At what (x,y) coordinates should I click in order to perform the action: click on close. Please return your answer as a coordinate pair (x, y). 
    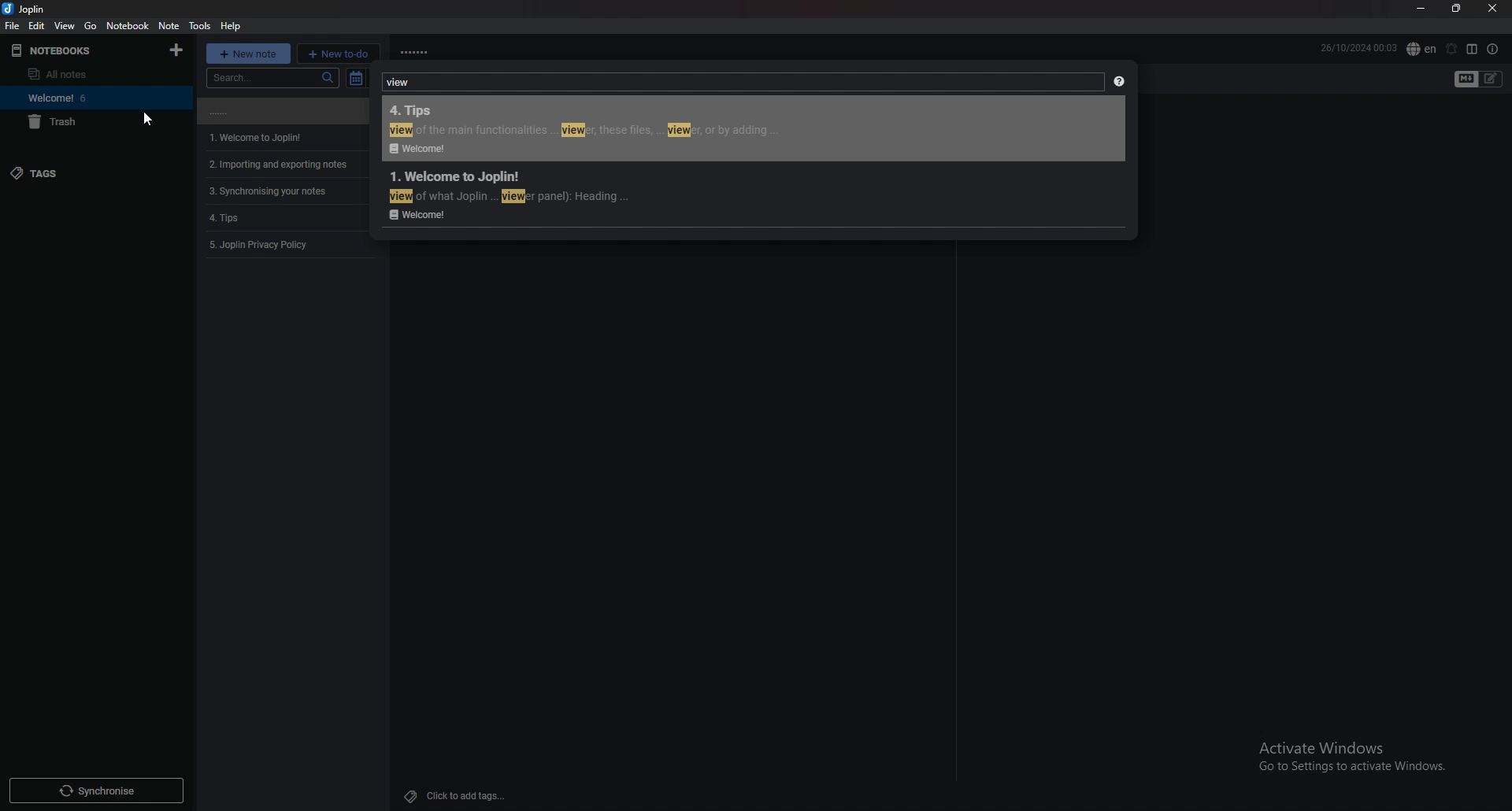
    Looking at the image, I should click on (1494, 8).